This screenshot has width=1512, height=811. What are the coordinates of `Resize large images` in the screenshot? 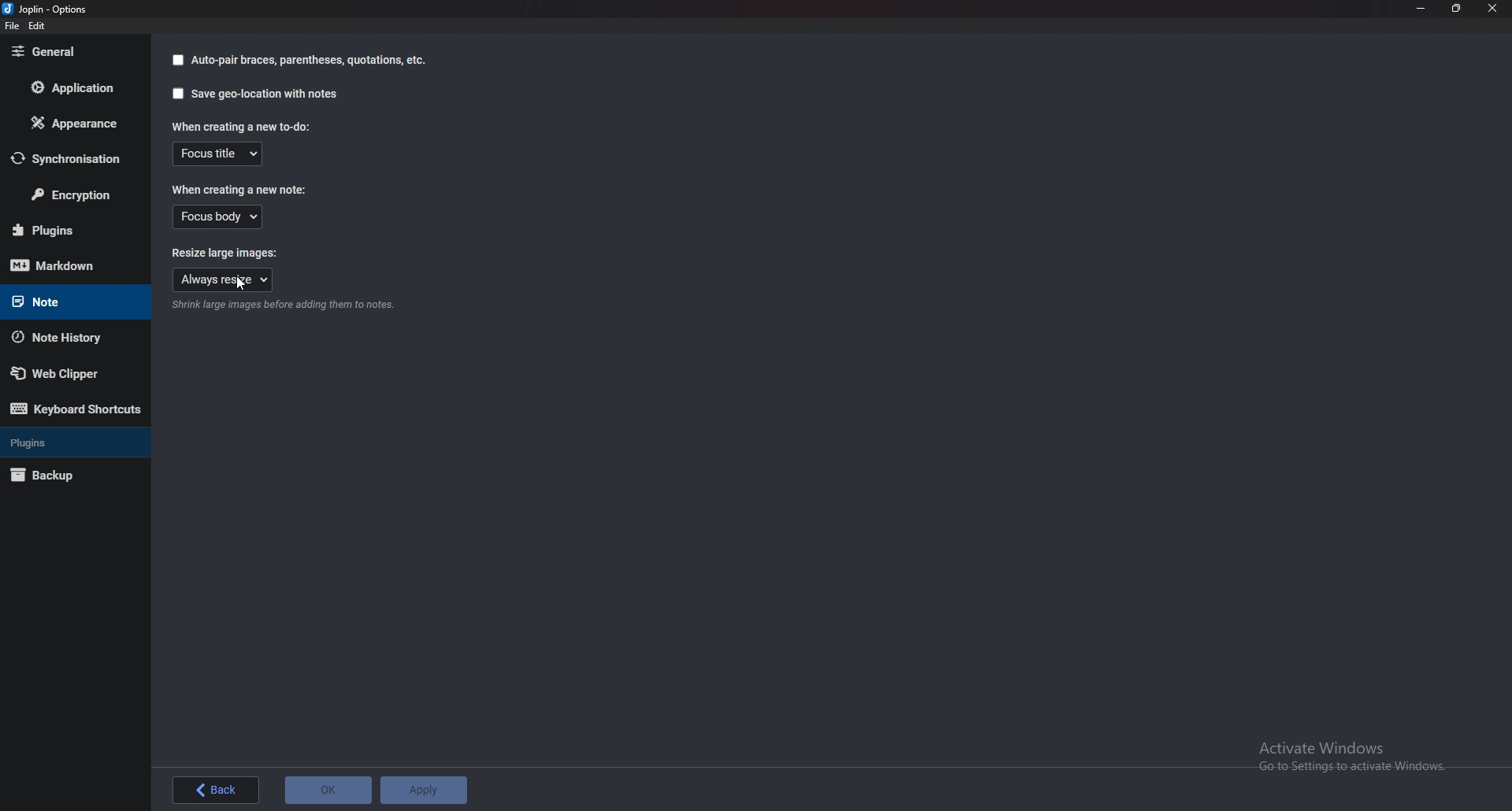 It's located at (233, 255).